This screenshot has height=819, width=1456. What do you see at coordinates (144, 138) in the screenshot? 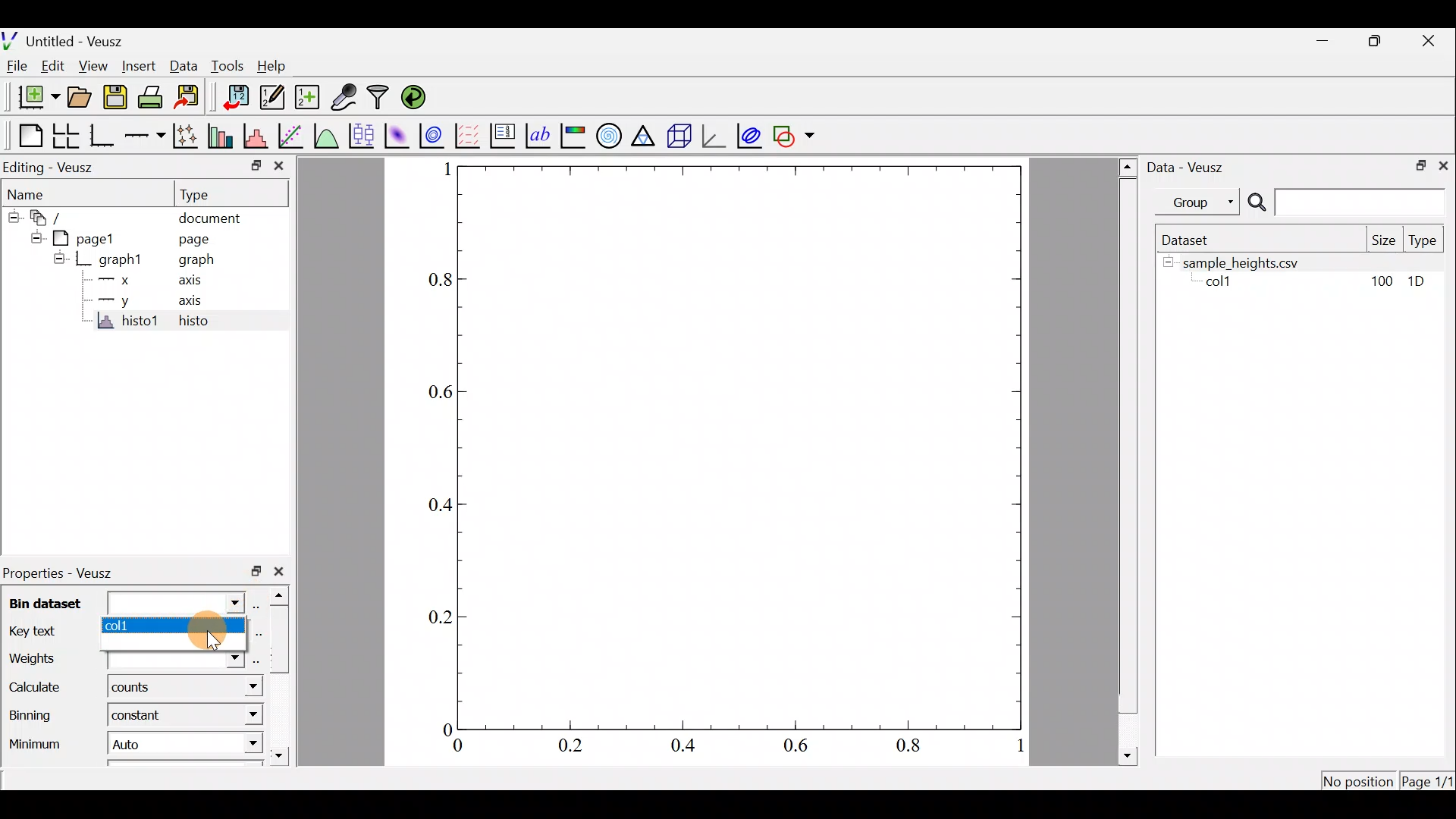
I see `add an axis to the plot` at bounding box center [144, 138].